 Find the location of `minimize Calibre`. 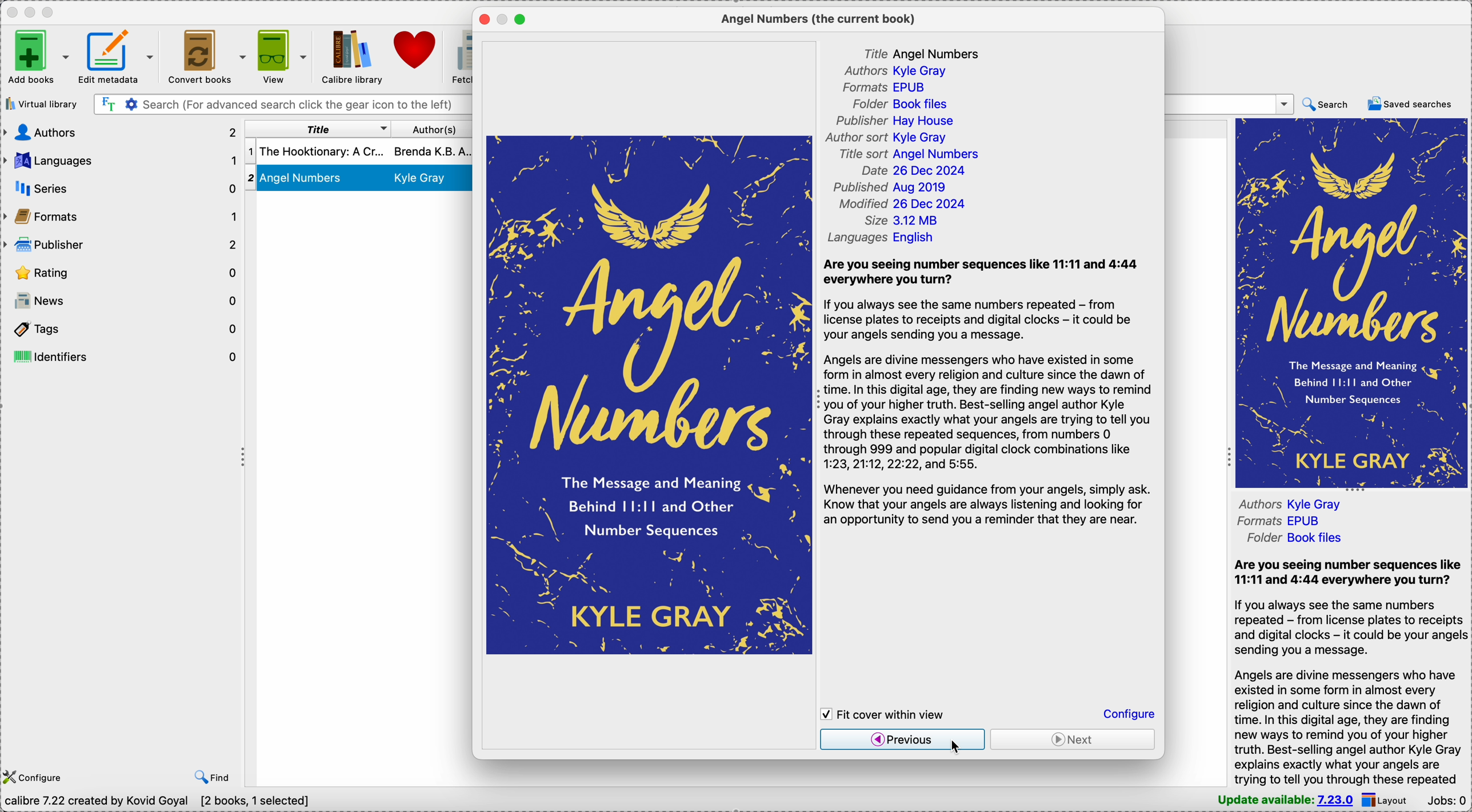

minimize Calibre is located at coordinates (30, 13).